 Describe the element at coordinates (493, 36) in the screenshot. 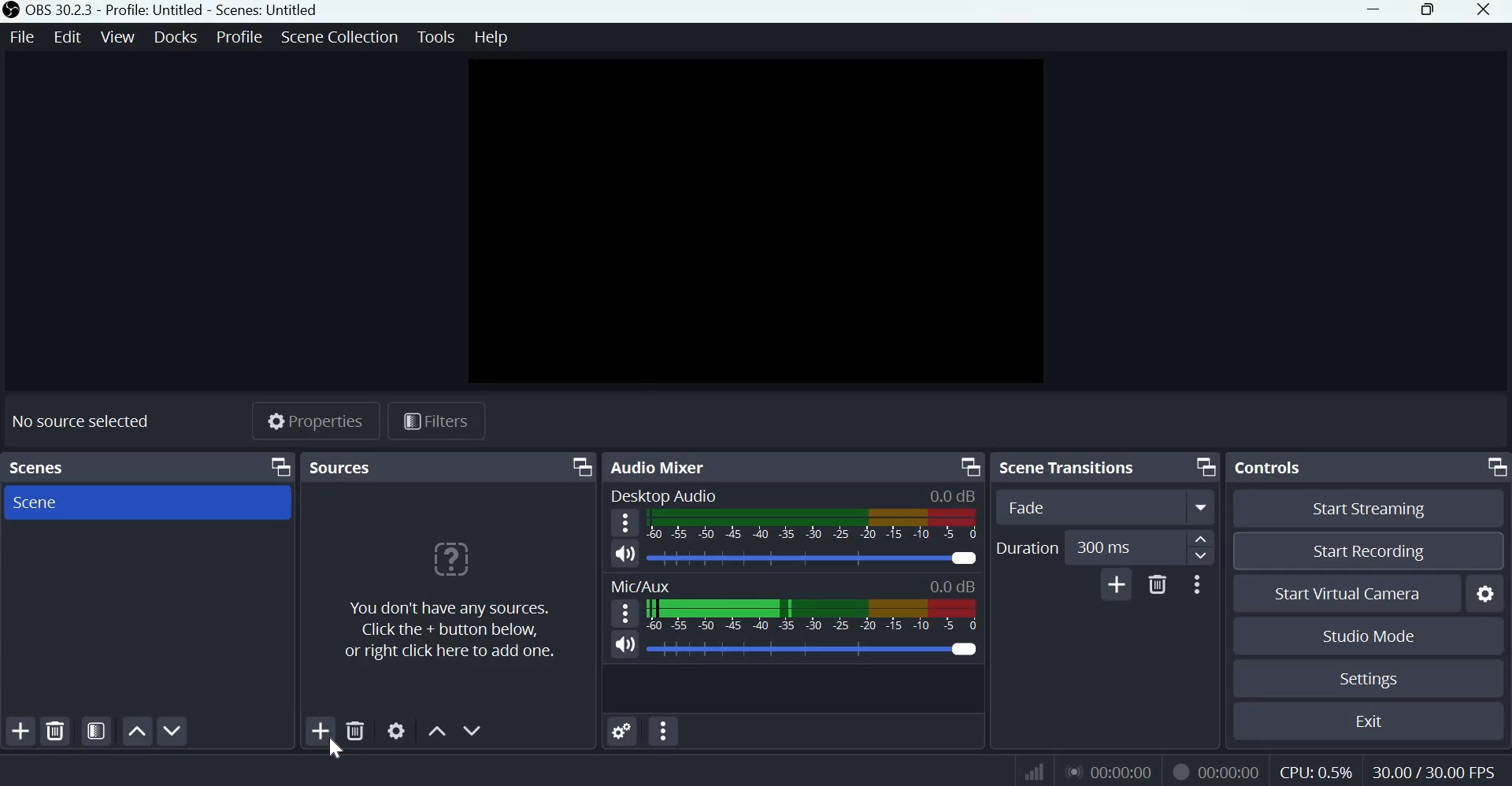

I see `help` at that location.